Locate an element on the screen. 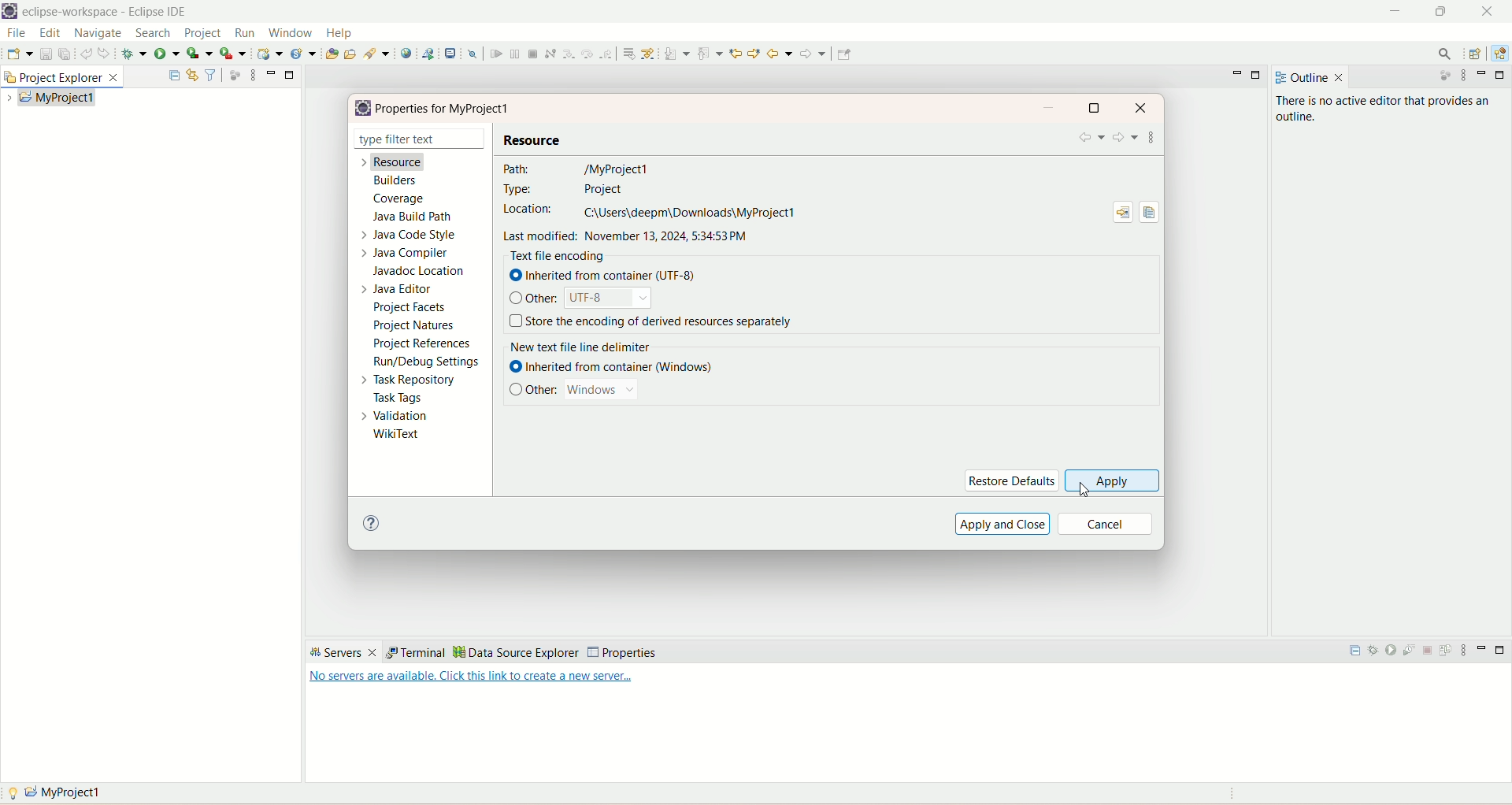 This screenshot has height=805, width=1512. suspend is located at coordinates (513, 54).